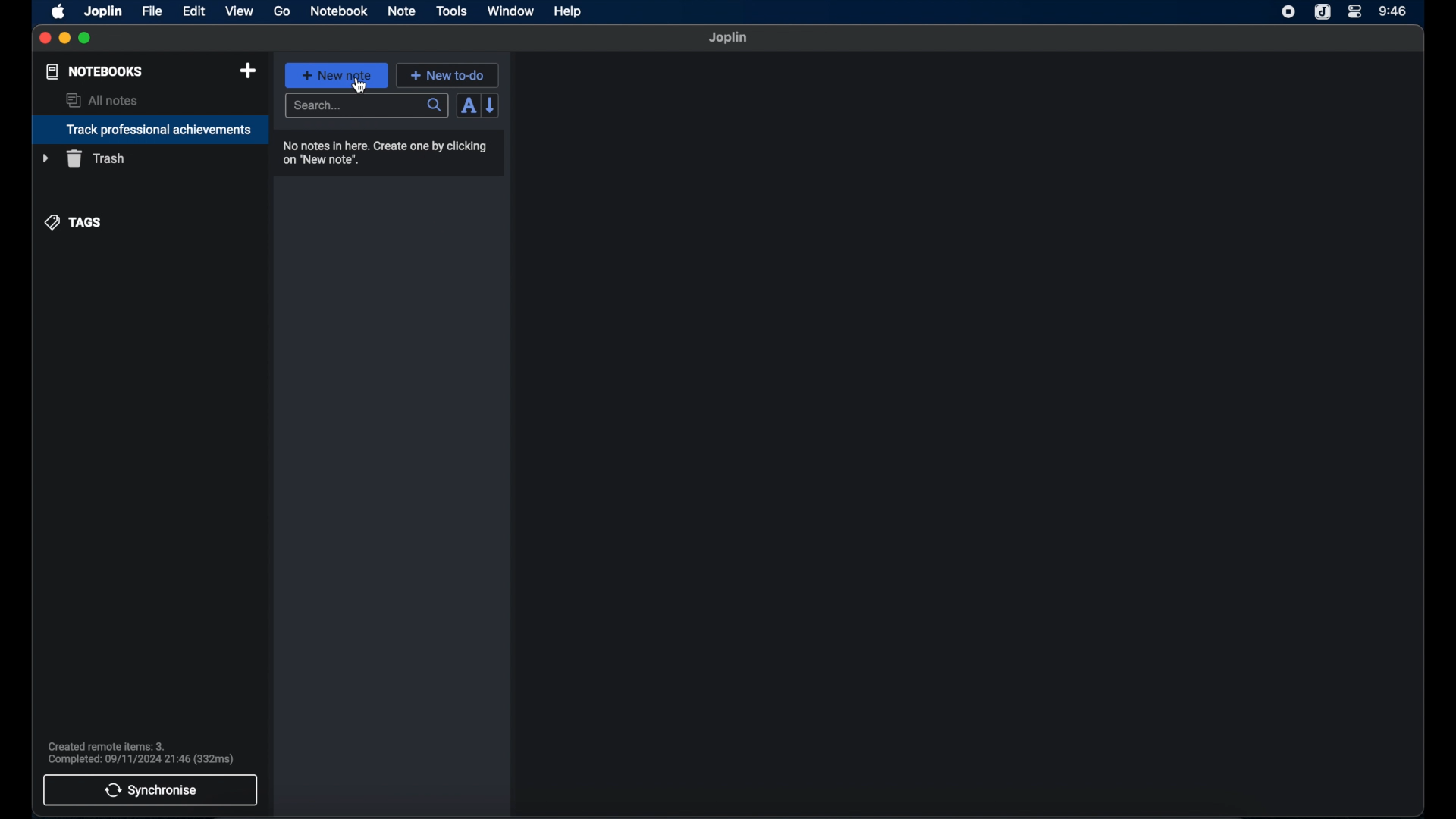  Describe the element at coordinates (492, 105) in the screenshot. I see `reverse sort order` at that location.